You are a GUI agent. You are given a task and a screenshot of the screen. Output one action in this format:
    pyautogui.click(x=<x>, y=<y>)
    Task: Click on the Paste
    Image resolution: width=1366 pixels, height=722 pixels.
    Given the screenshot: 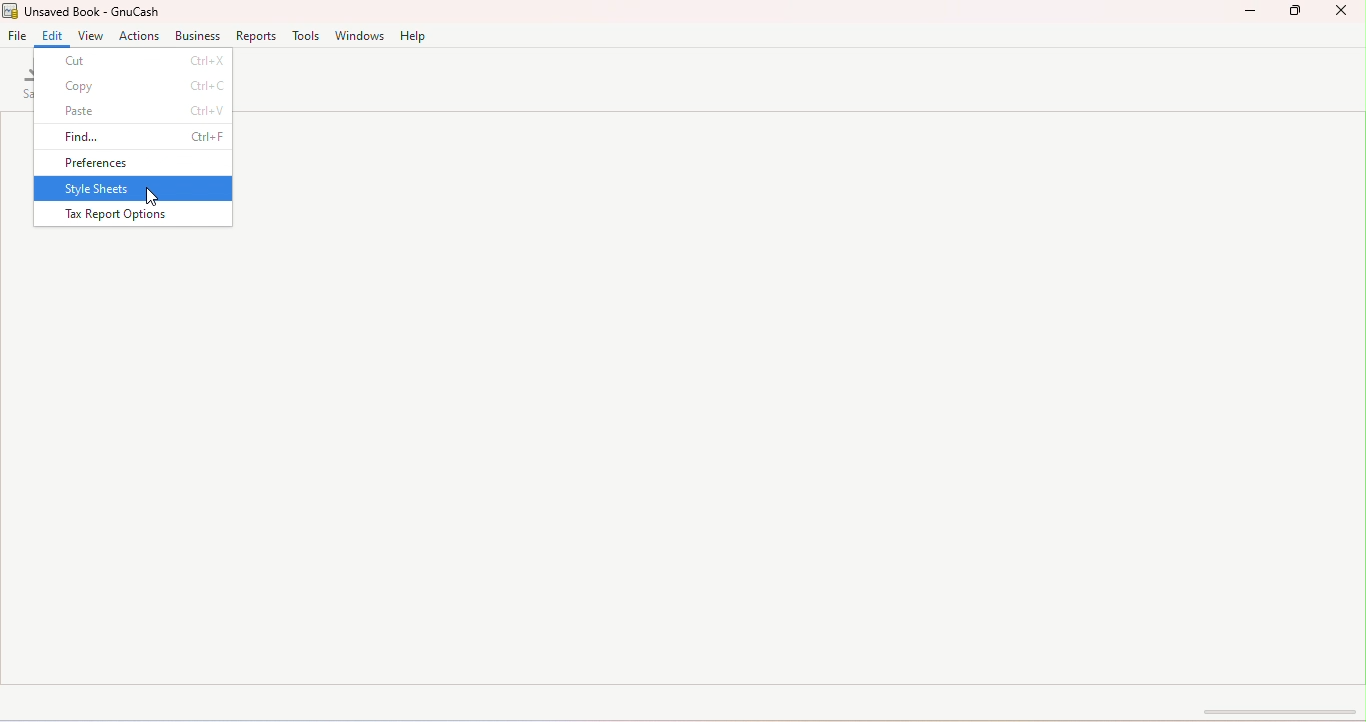 What is the action you would take?
    pyautogui.click(x=133, y=112)
    